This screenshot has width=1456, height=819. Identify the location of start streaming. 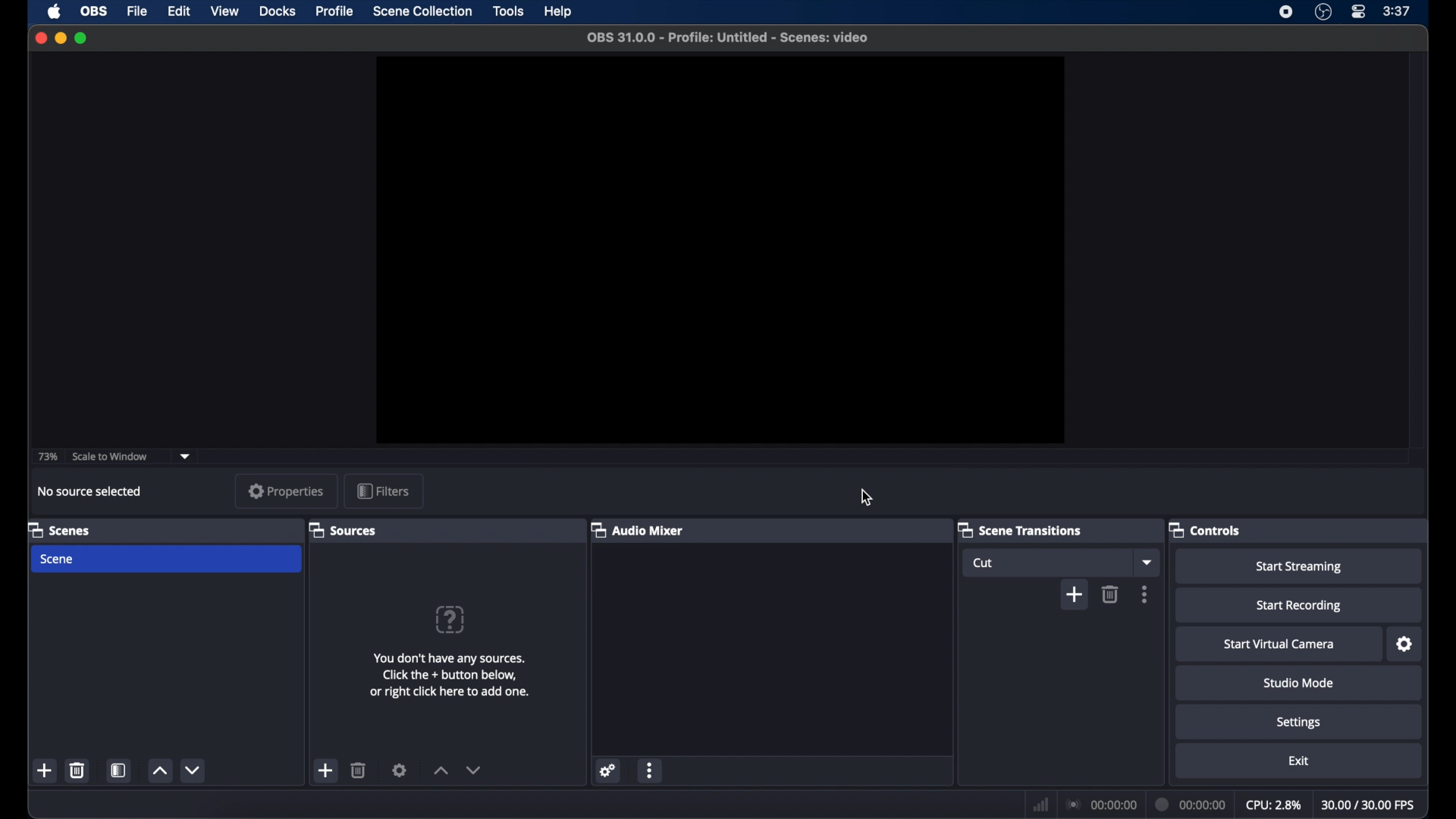
(1298, 567).